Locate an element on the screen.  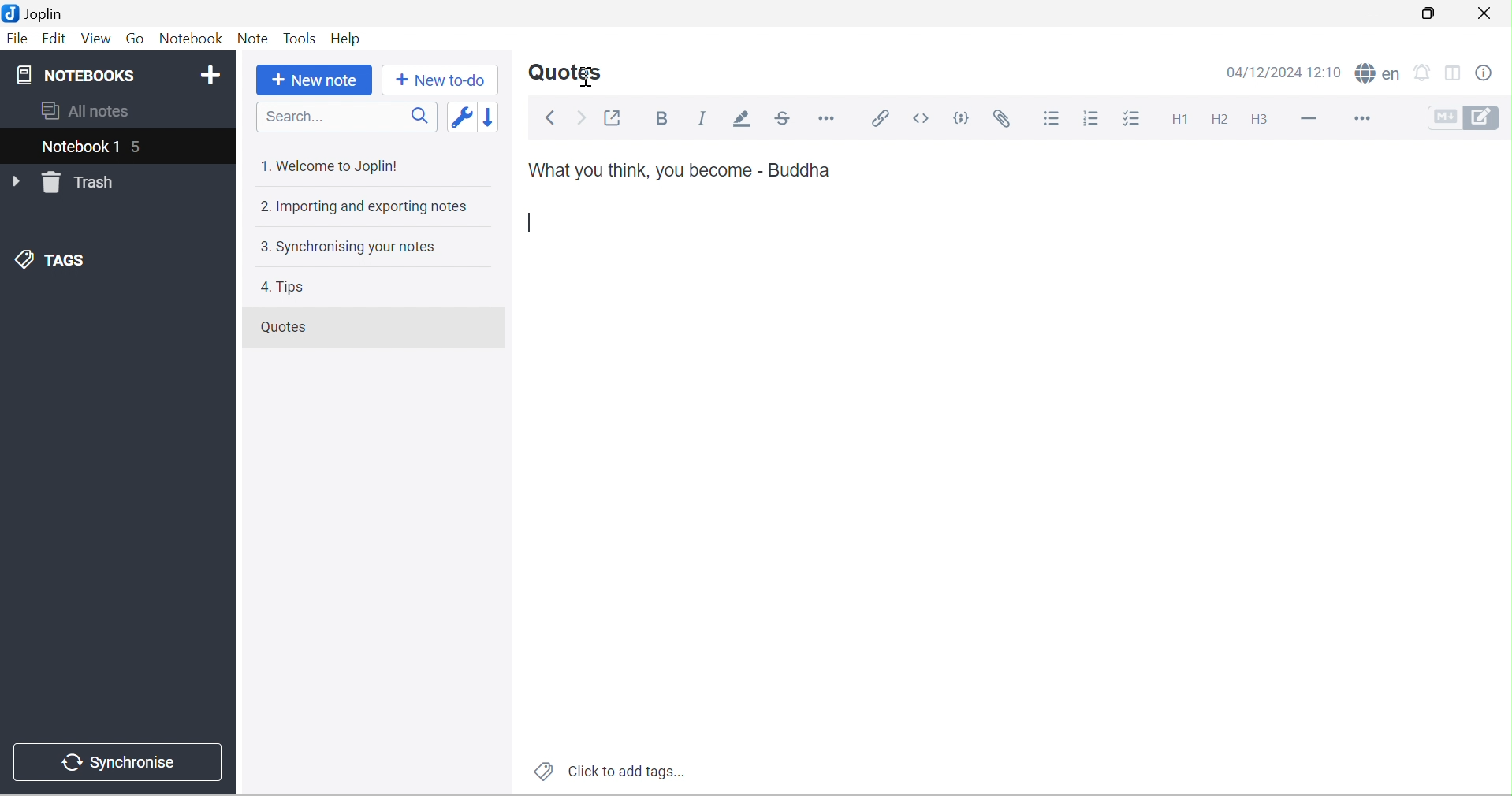
1. Welcome to Joplin! is located at coordinates (333, 166).